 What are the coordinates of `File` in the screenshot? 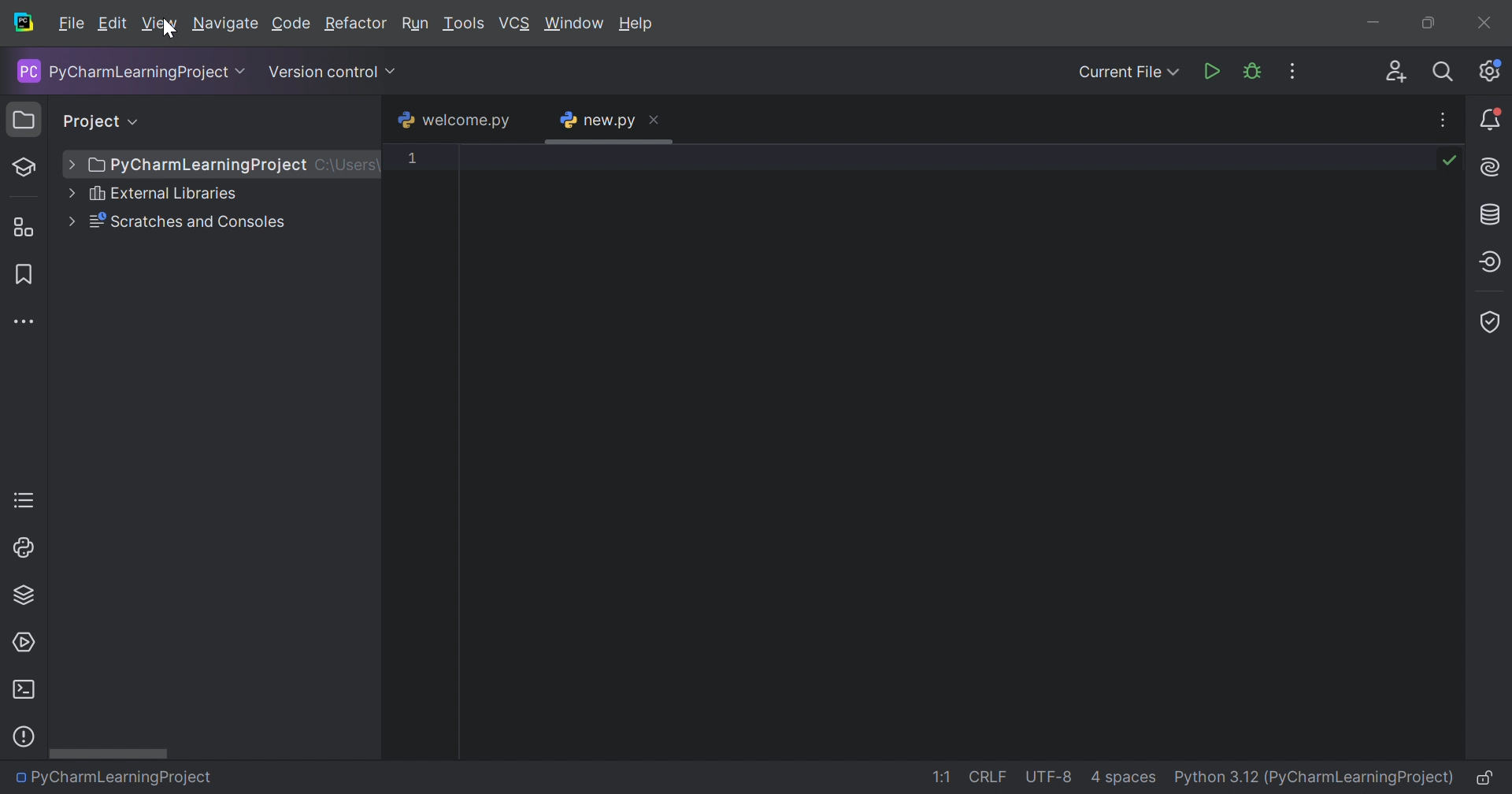 It's located at (70, 24).